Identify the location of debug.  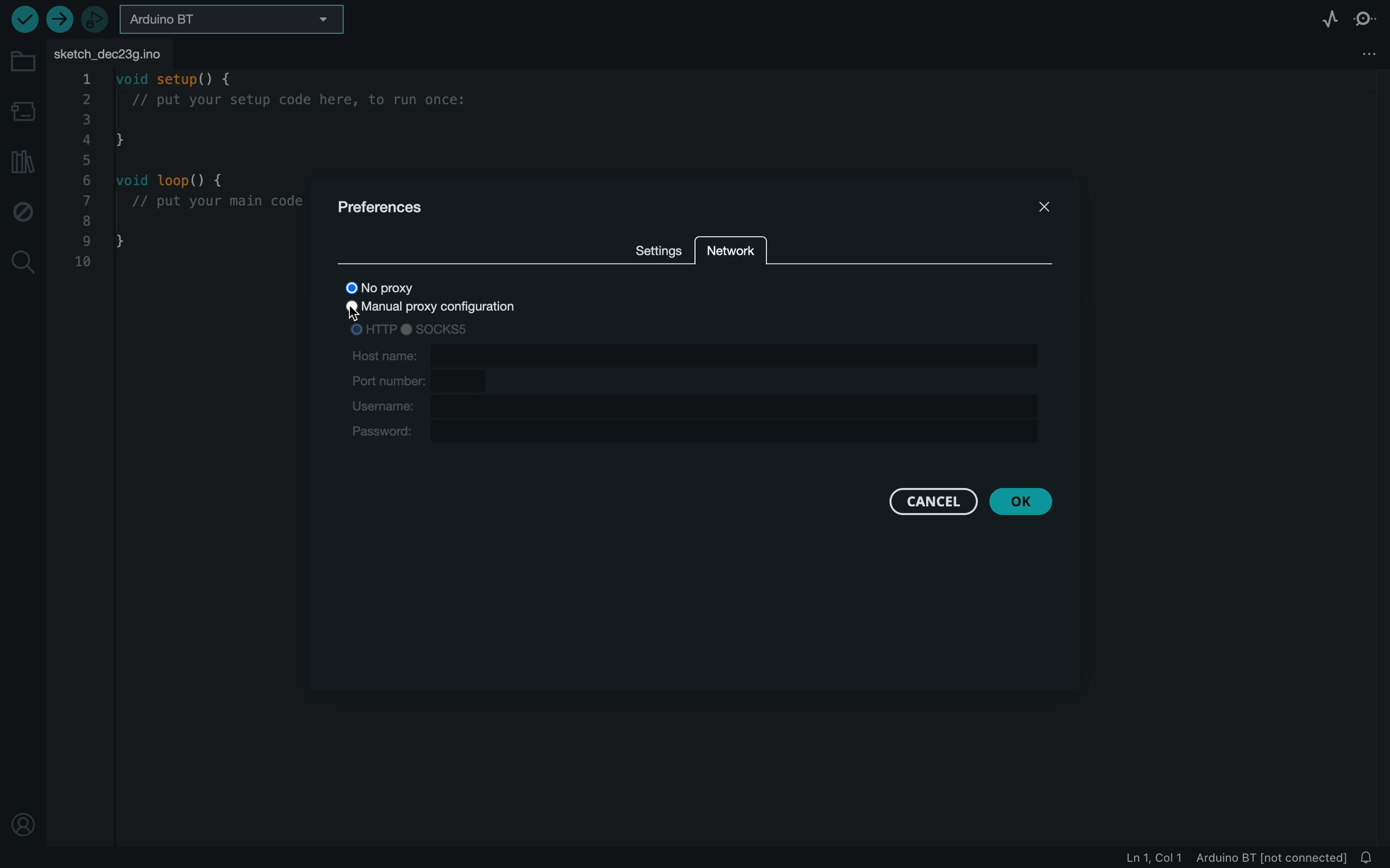
(24, 212).